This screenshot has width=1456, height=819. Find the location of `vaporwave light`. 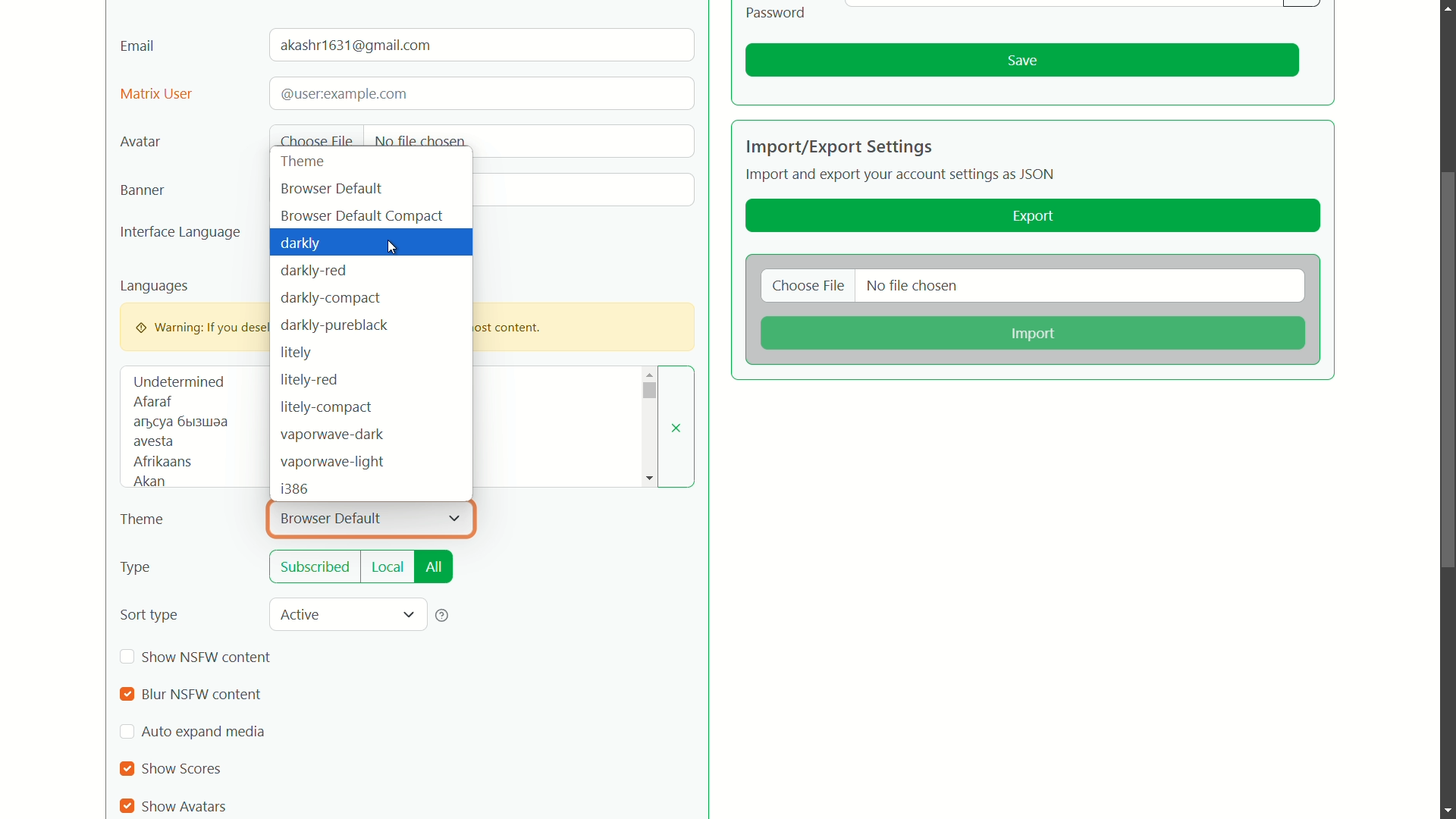

vaporwave light is located at coordinates (333, 463).